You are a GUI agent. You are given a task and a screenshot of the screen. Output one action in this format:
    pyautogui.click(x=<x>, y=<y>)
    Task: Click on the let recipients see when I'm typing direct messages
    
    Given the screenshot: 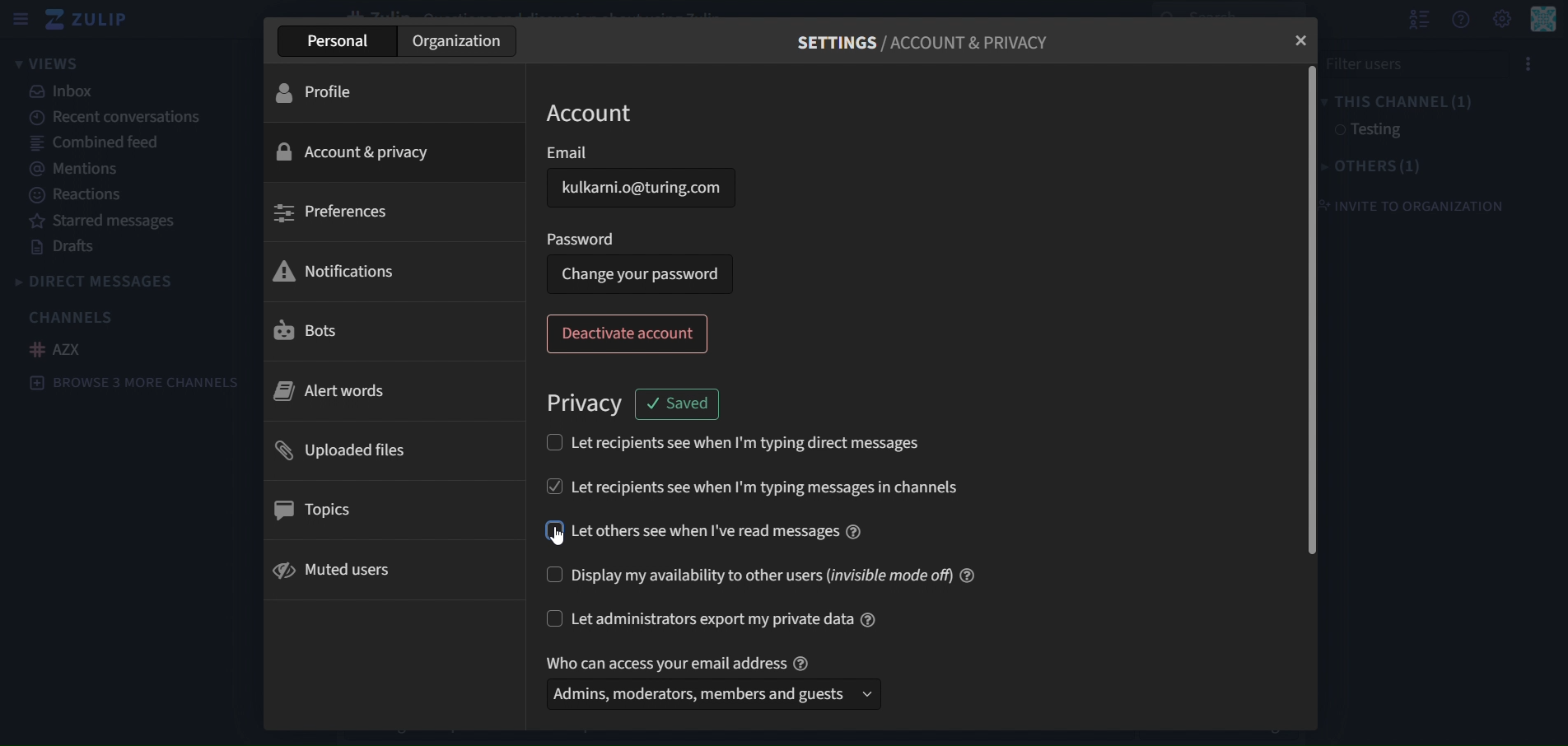 What is the action you would take?
    pyautogui.click(x=749, y=443)
    